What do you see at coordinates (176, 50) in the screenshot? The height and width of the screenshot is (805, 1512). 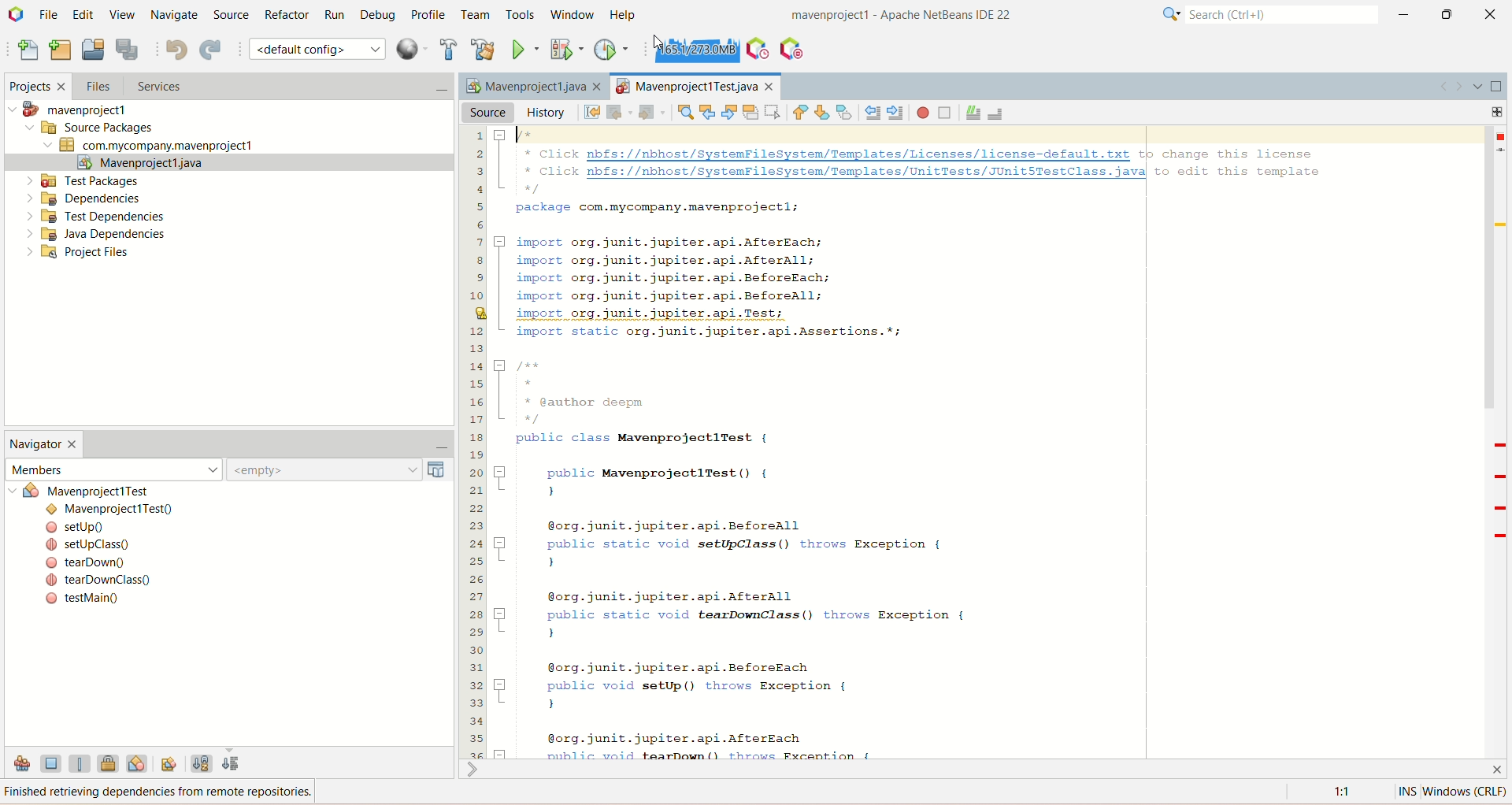 I see `undo` at bounding box center [176, 50].